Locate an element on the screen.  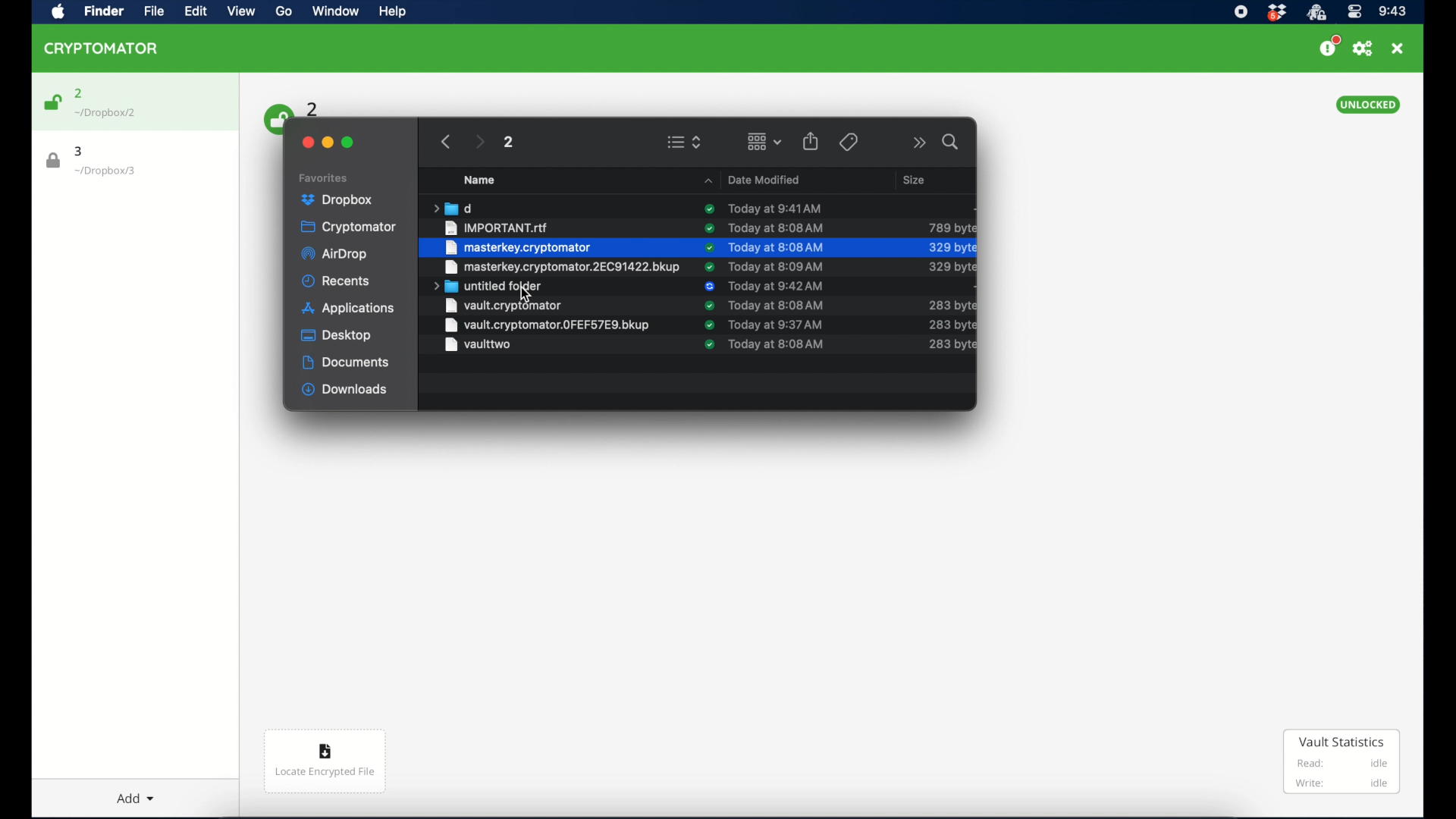
2 is located at coordinates (313, 108).